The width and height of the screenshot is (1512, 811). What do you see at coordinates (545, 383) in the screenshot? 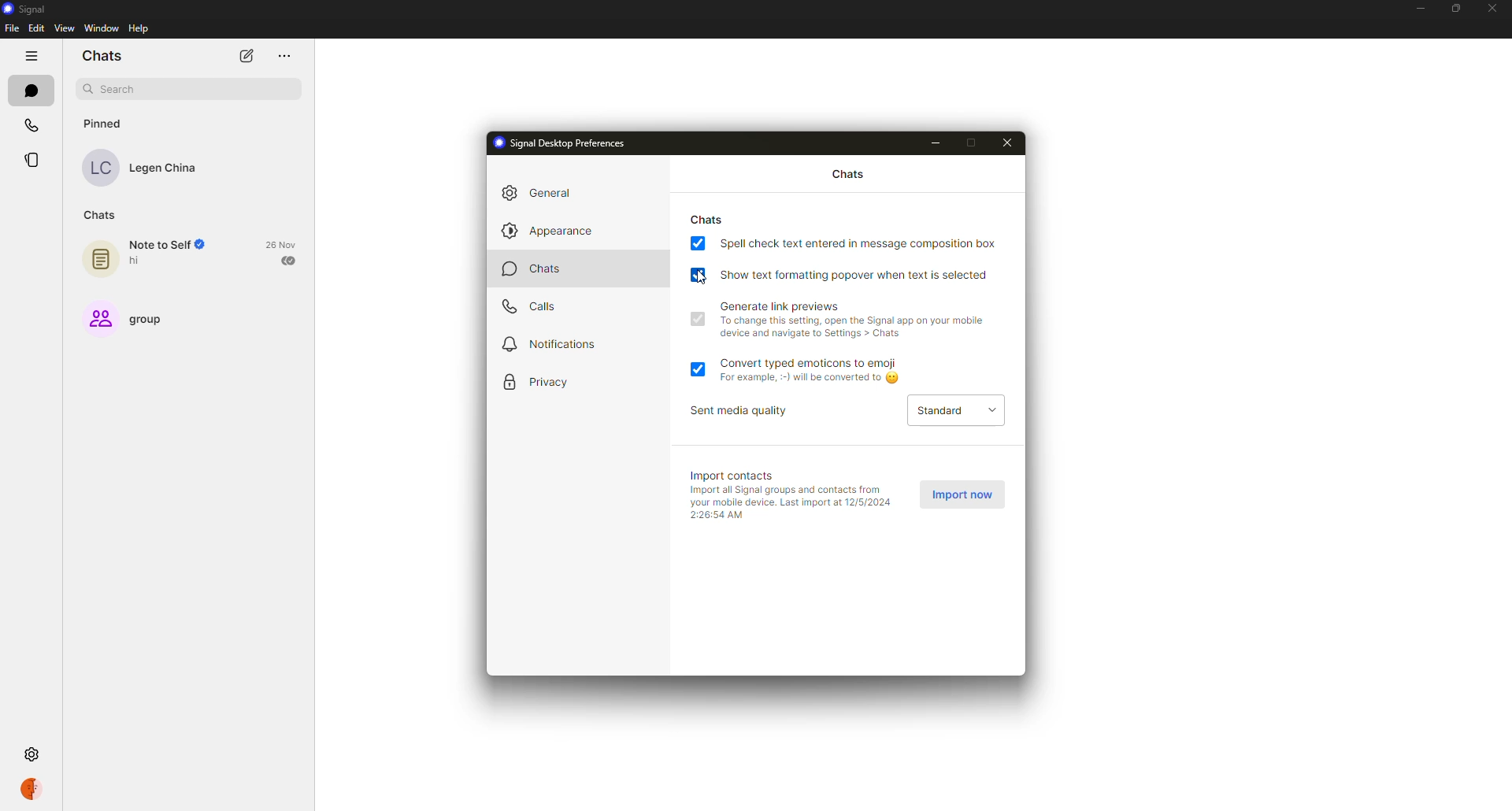
I see `privacy` at bounding box center [545, 383].